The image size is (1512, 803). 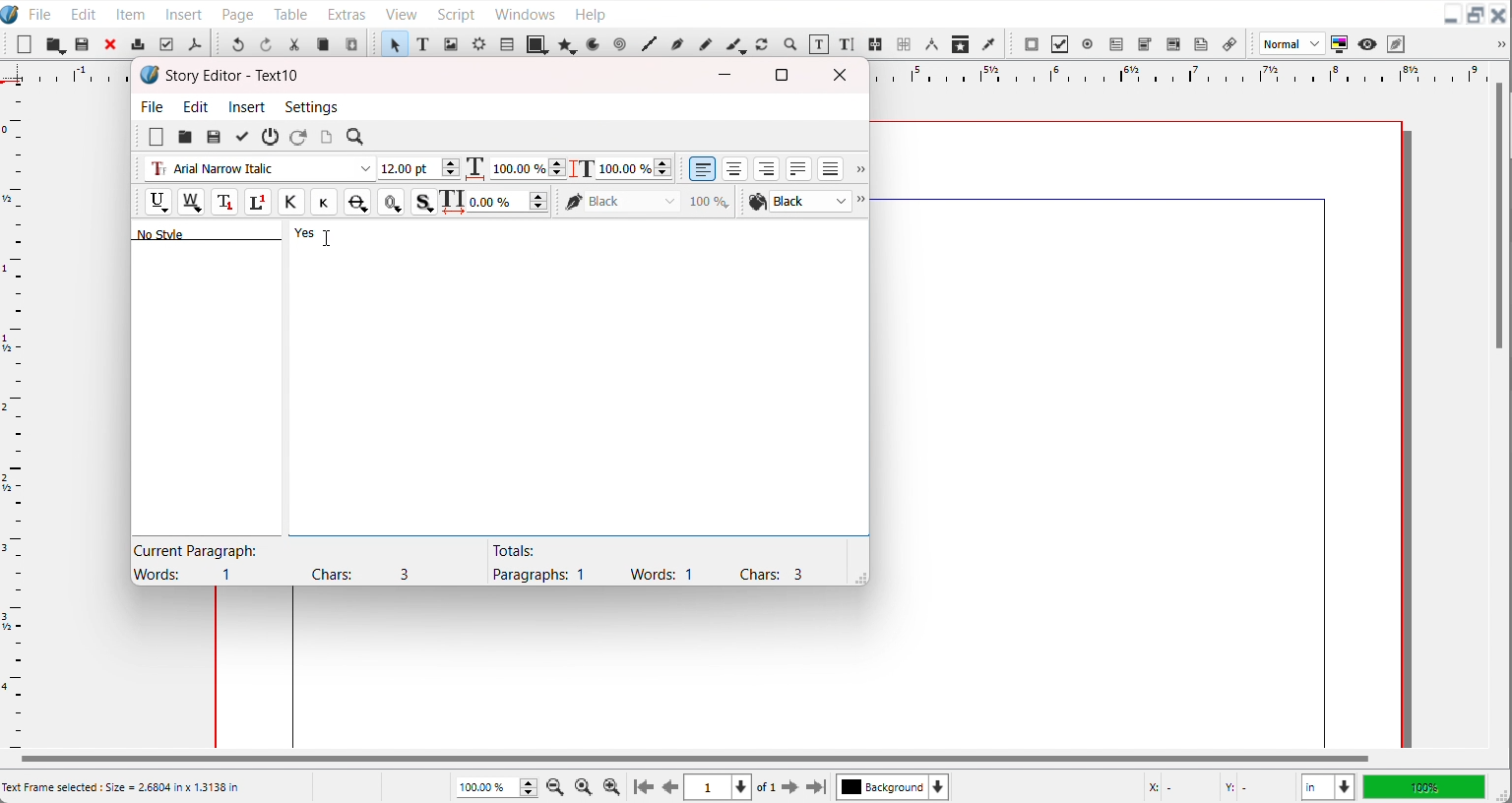 I want to click on Preview, so click(x=1368, y=44).